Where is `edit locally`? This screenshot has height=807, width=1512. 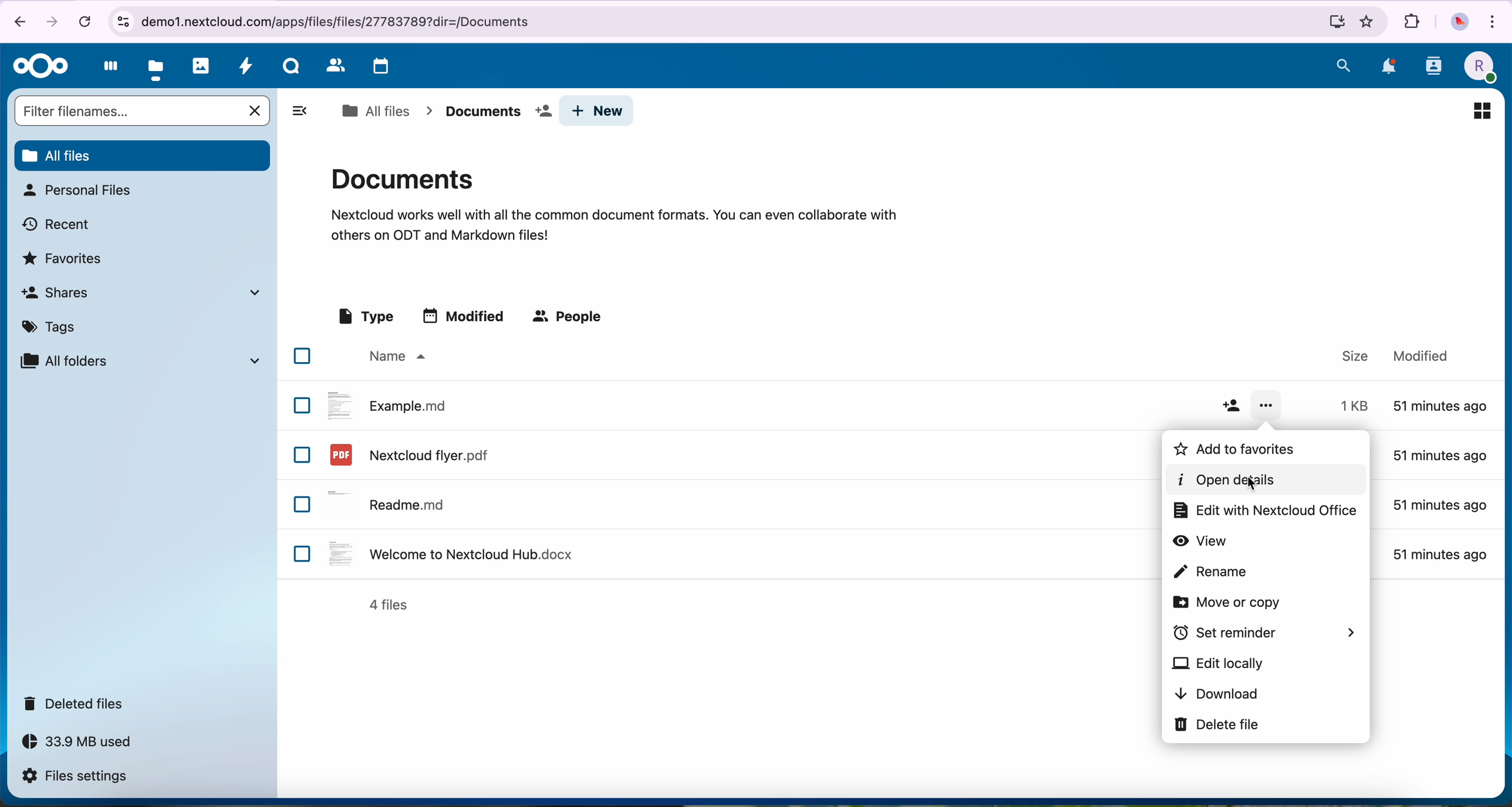
edit locally is located at coordinates (1219, 662).